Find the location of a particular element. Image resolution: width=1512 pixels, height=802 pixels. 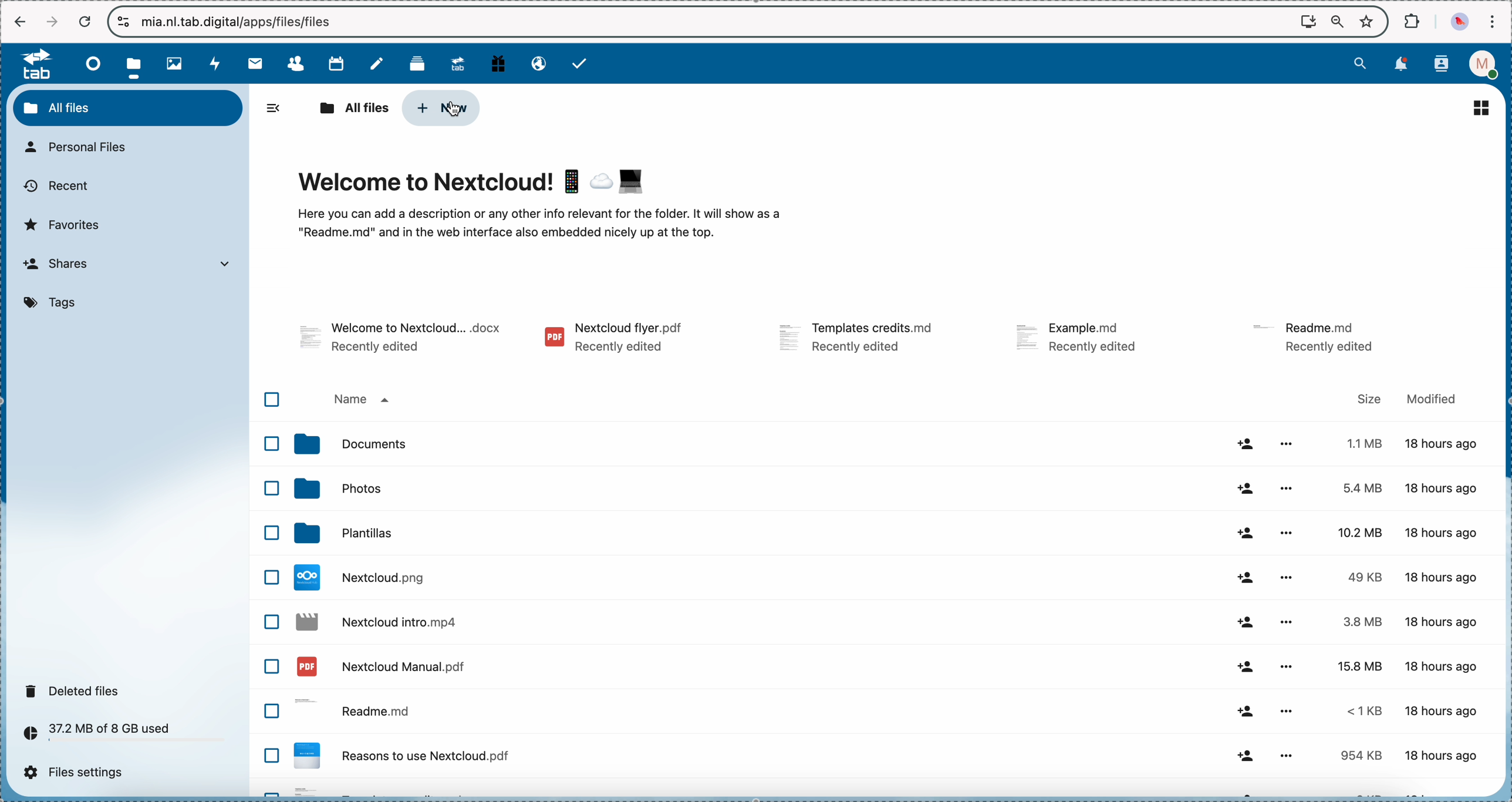

file is located at coordinates (879, 791).